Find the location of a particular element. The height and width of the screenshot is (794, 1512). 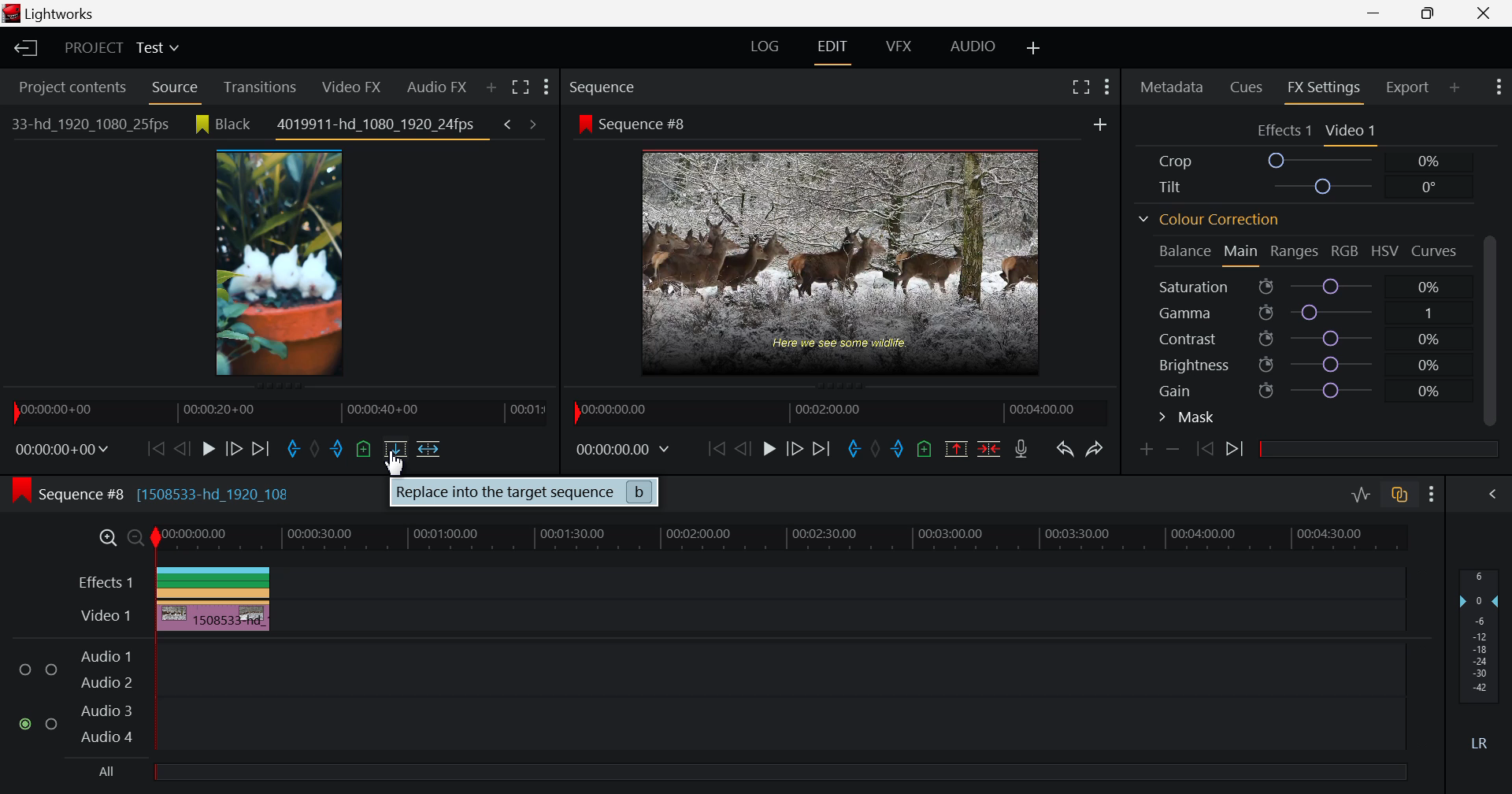

Crop is located at coordinates (1304, 161).